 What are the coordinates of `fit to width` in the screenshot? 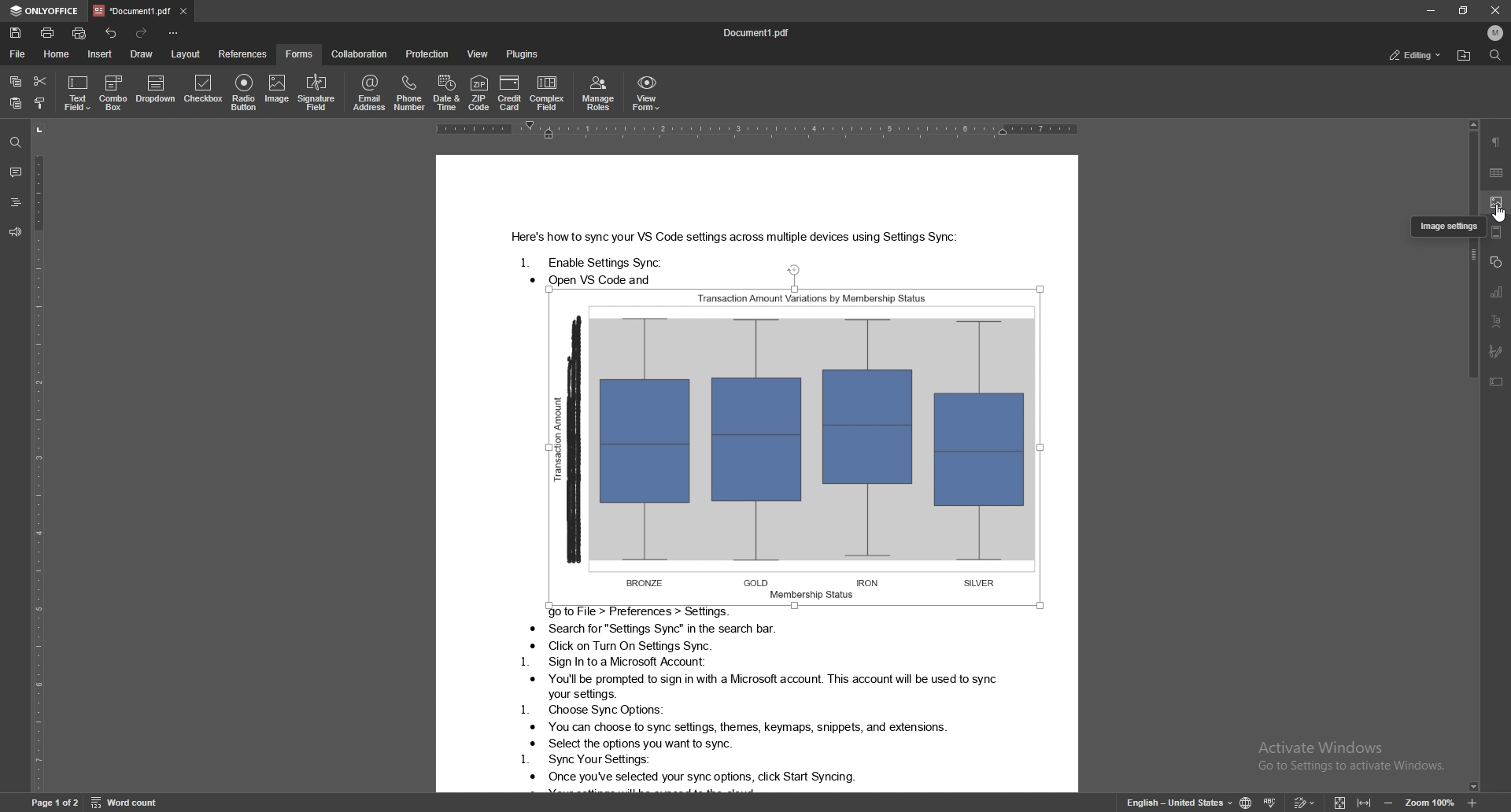 It's located at (1363, 803).